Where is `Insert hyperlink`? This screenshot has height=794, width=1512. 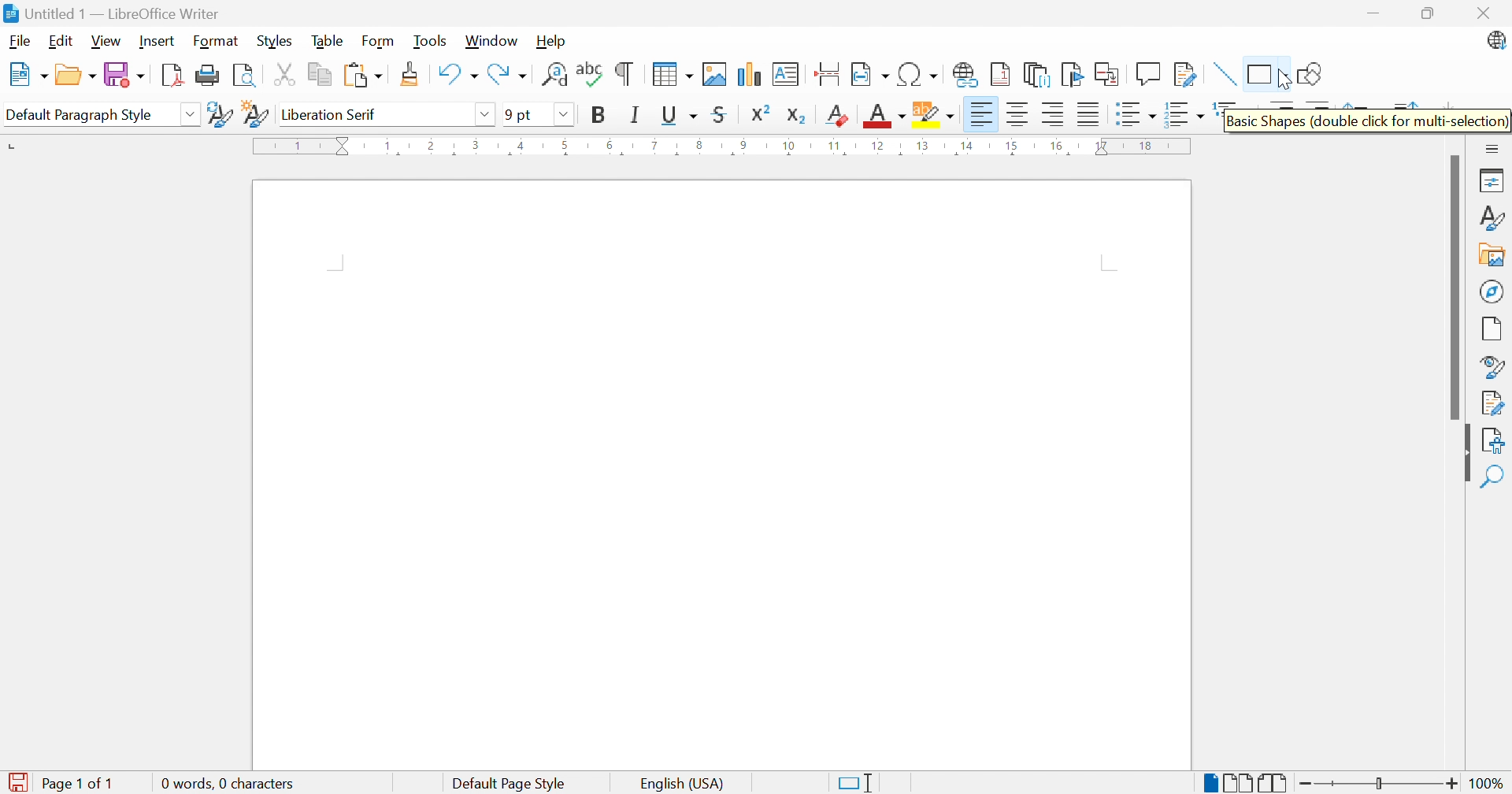
Insert hyperlink is located at coordinates (966, 74).